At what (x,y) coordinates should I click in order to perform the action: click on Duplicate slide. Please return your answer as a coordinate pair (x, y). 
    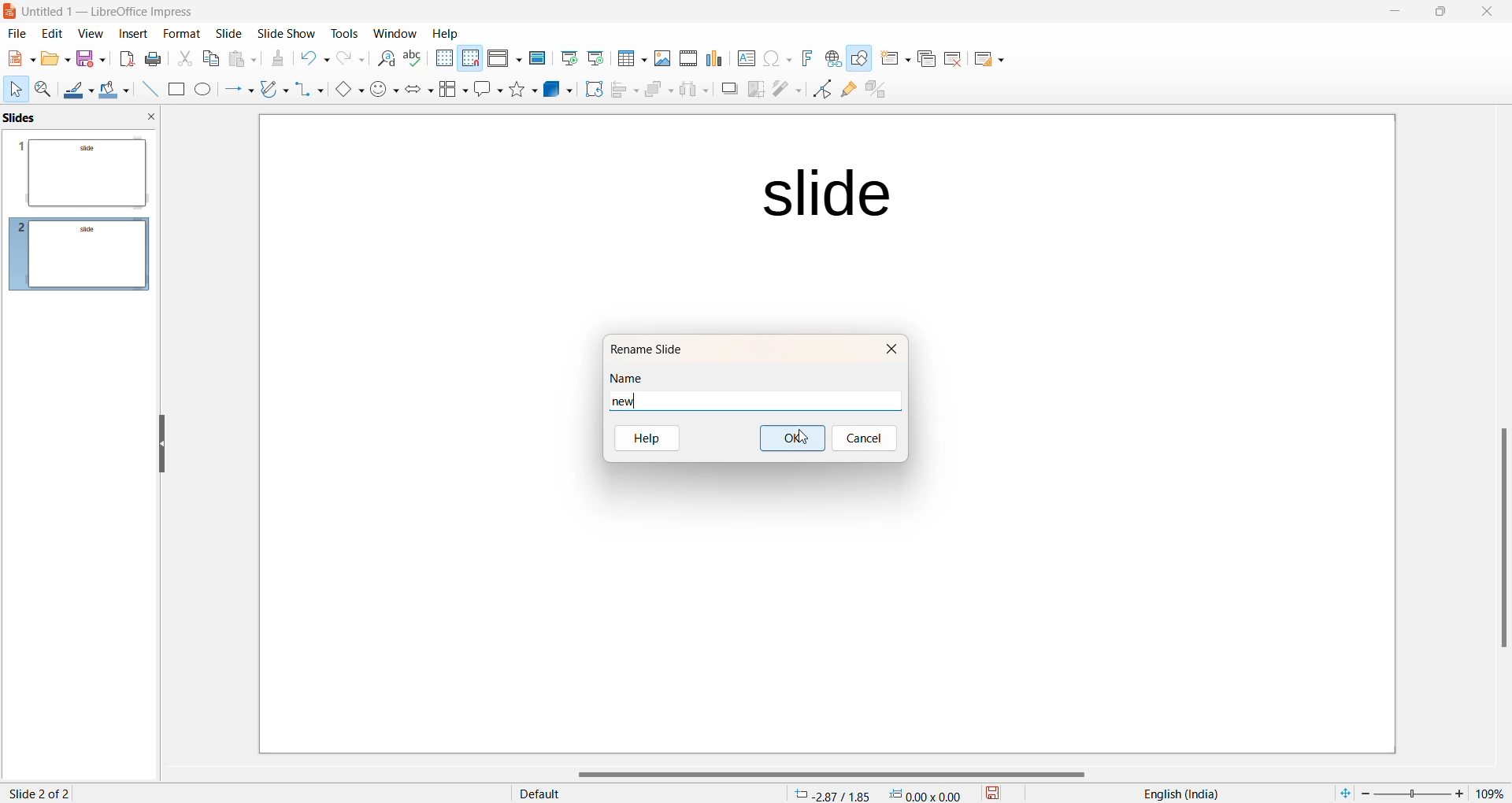
    Looking at the image, I should click on (924, 61).